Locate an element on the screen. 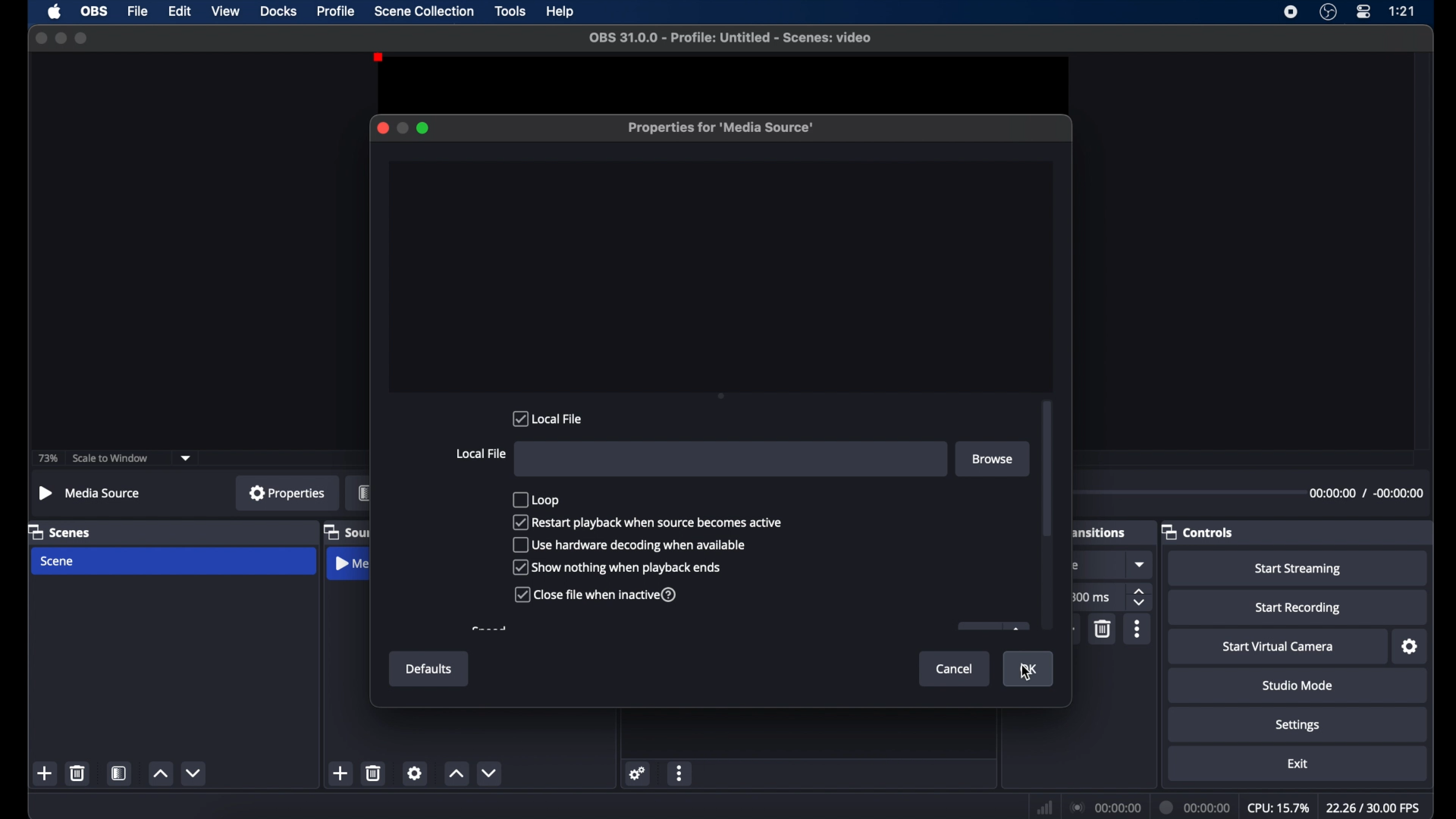  dropdown is located at coordinates (1141, 564).